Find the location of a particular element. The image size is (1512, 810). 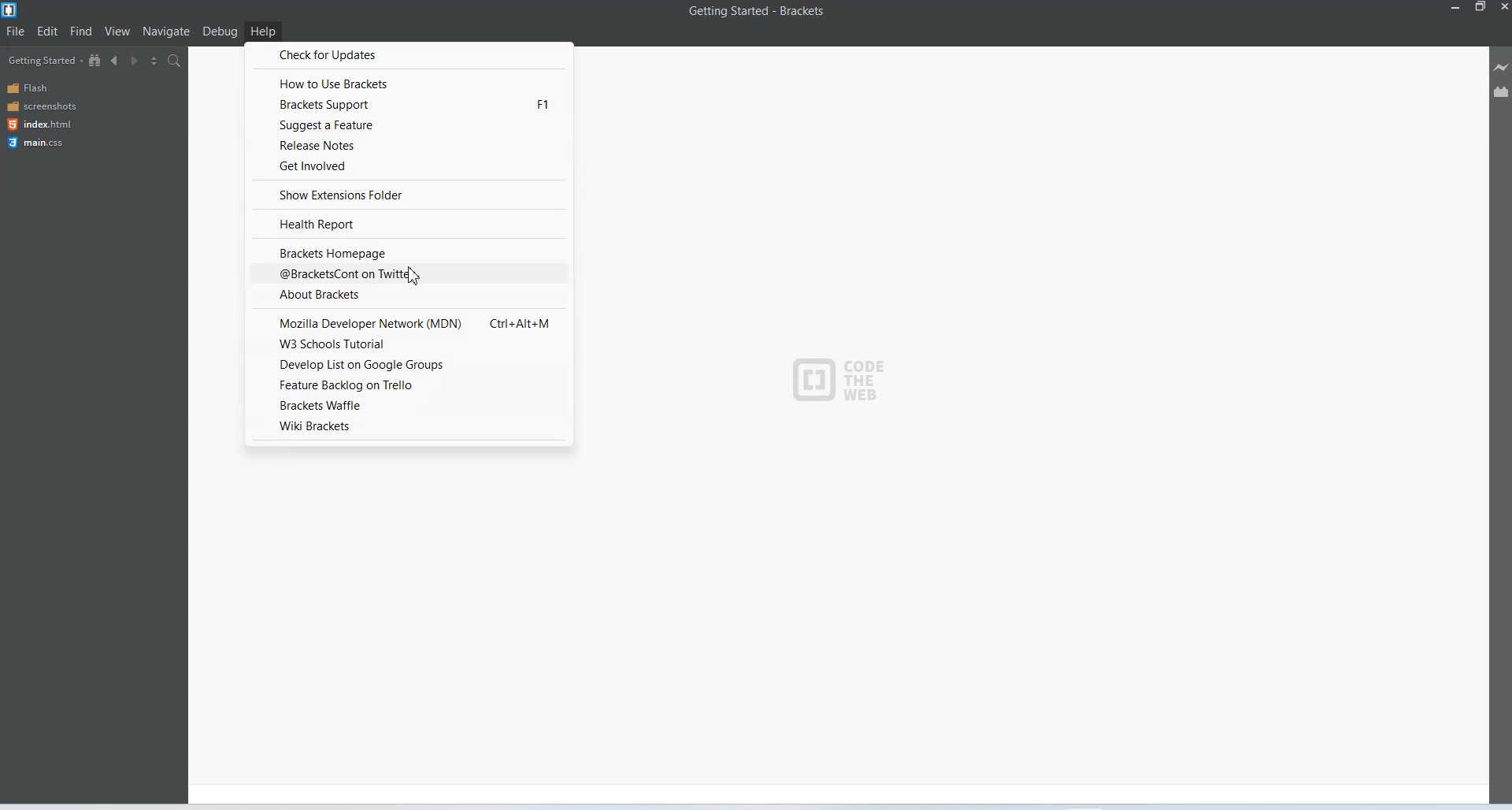

View is located at coordinates (118, 32).